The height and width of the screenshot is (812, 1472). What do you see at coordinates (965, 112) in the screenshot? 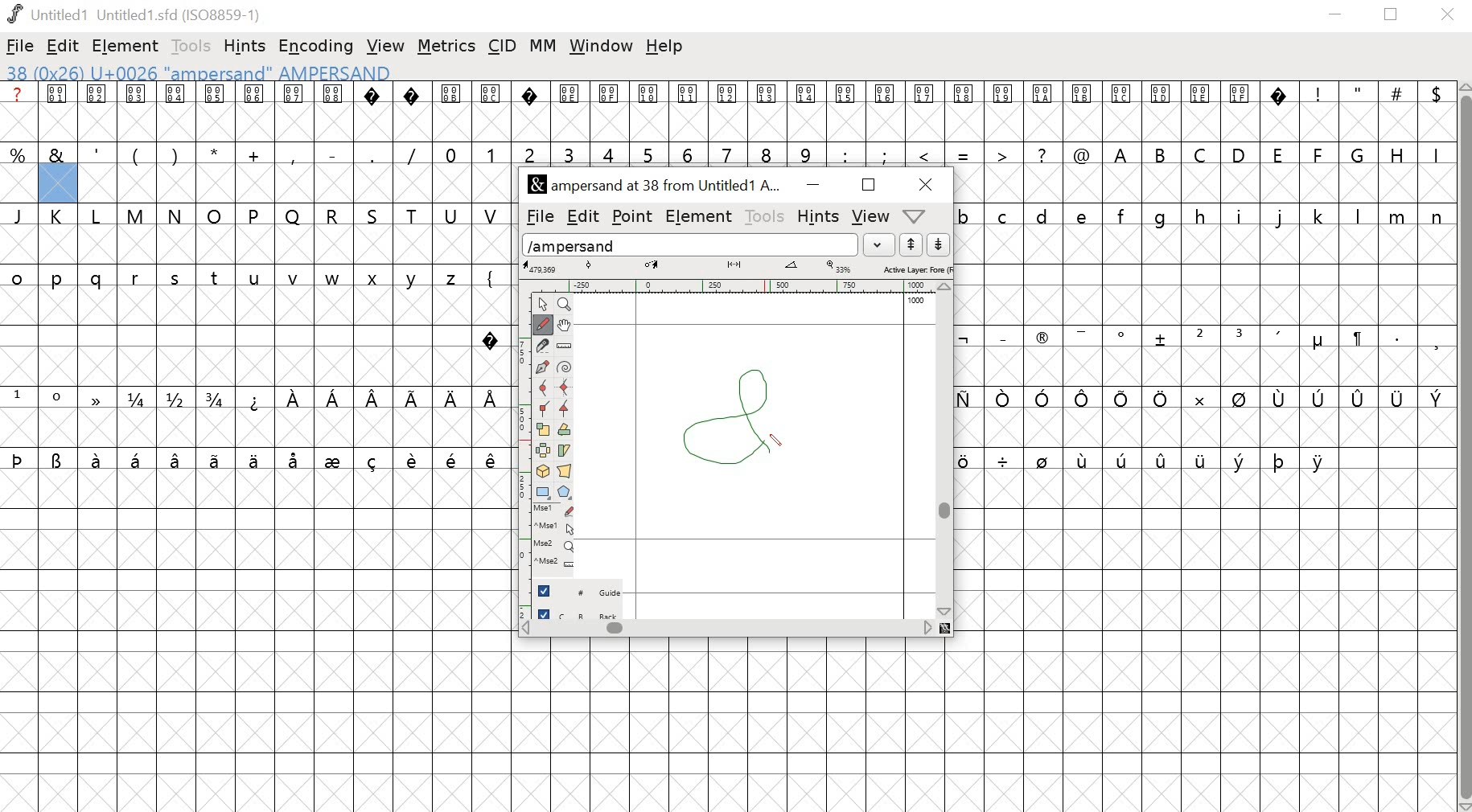
I see `0018` at bounding box center [965, 112].